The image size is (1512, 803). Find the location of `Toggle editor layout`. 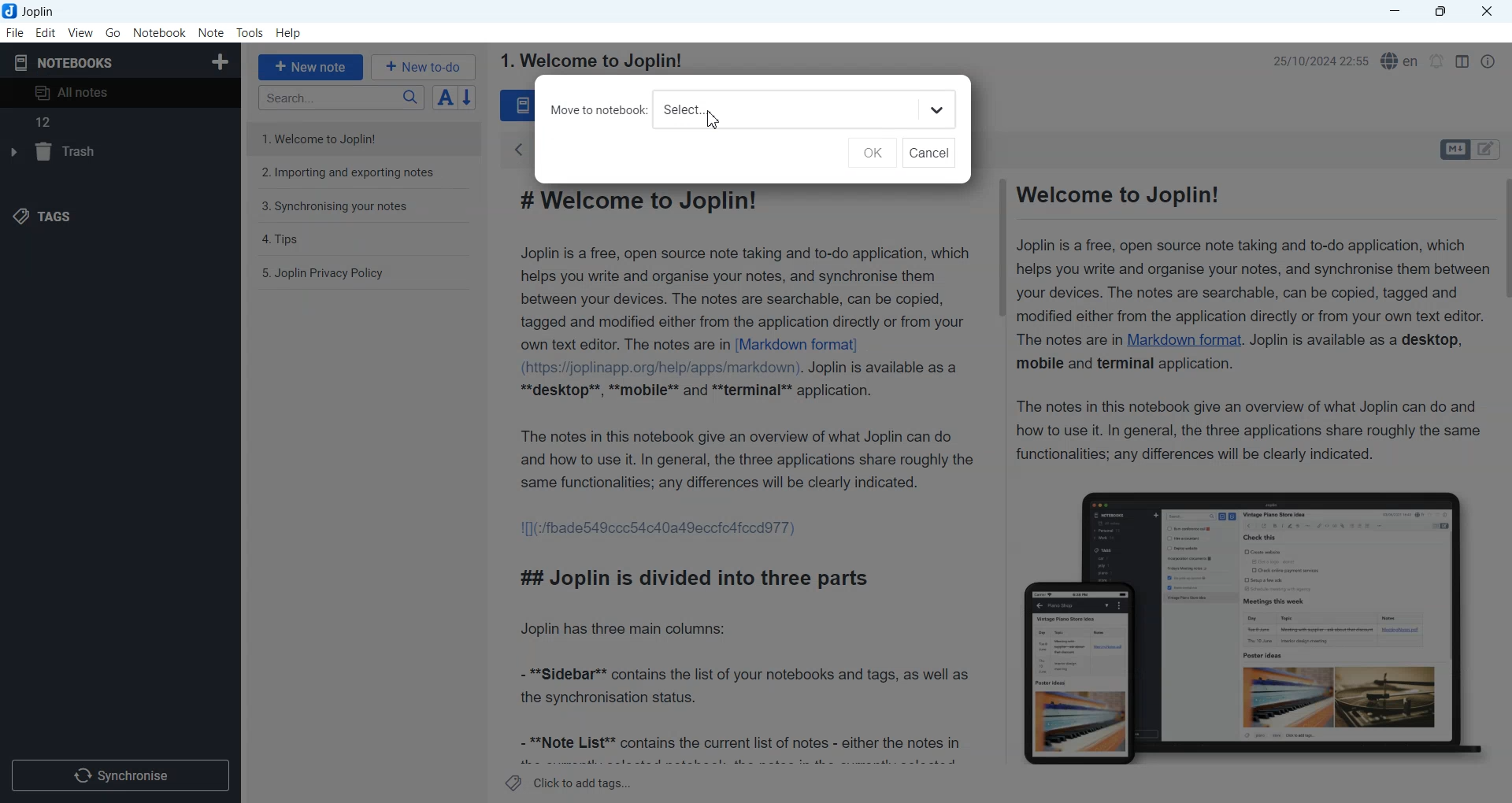

Toggle editor layout is located at coordinates (1462, 61).